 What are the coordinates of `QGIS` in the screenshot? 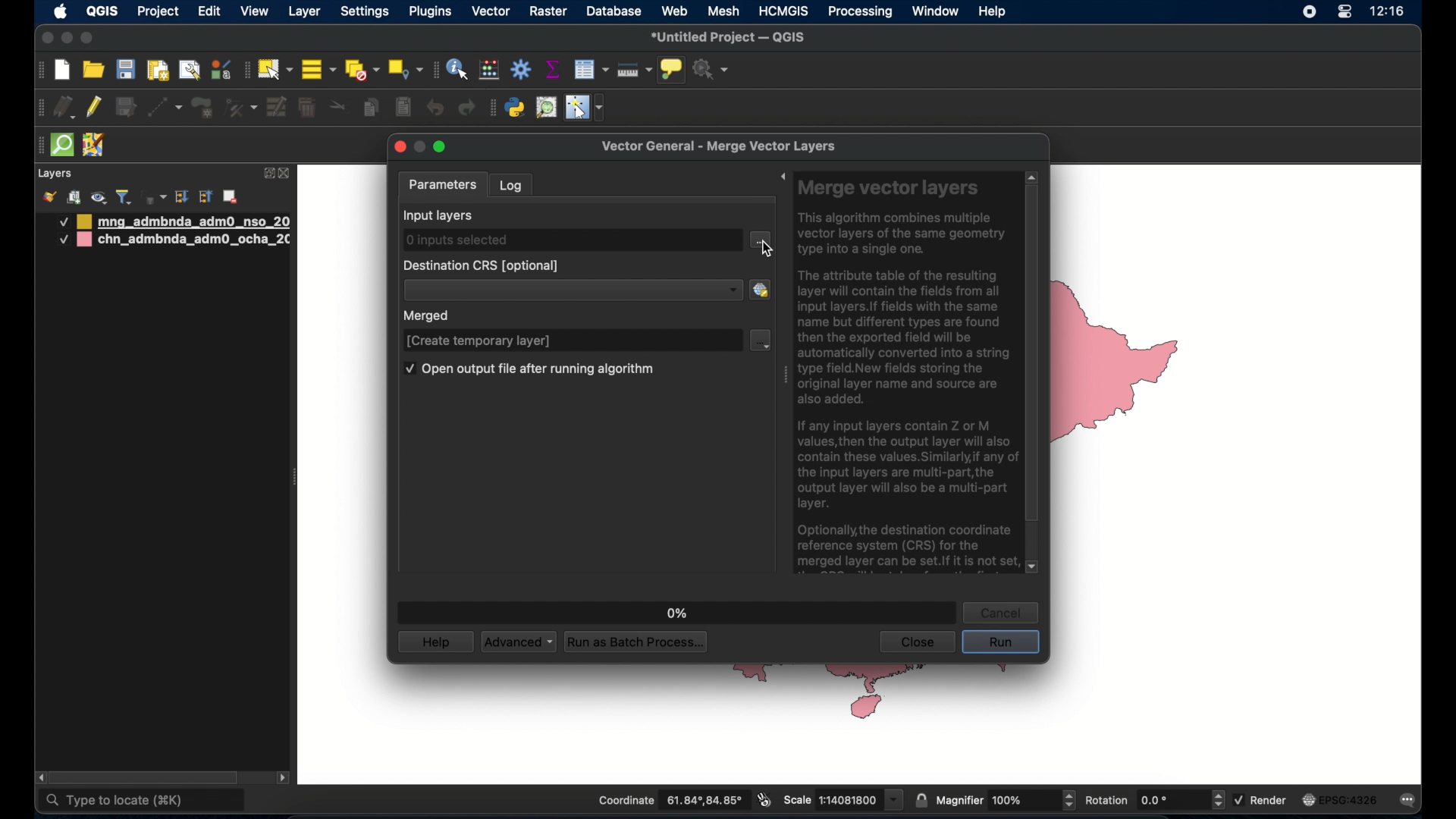 It's located at (101, 11).